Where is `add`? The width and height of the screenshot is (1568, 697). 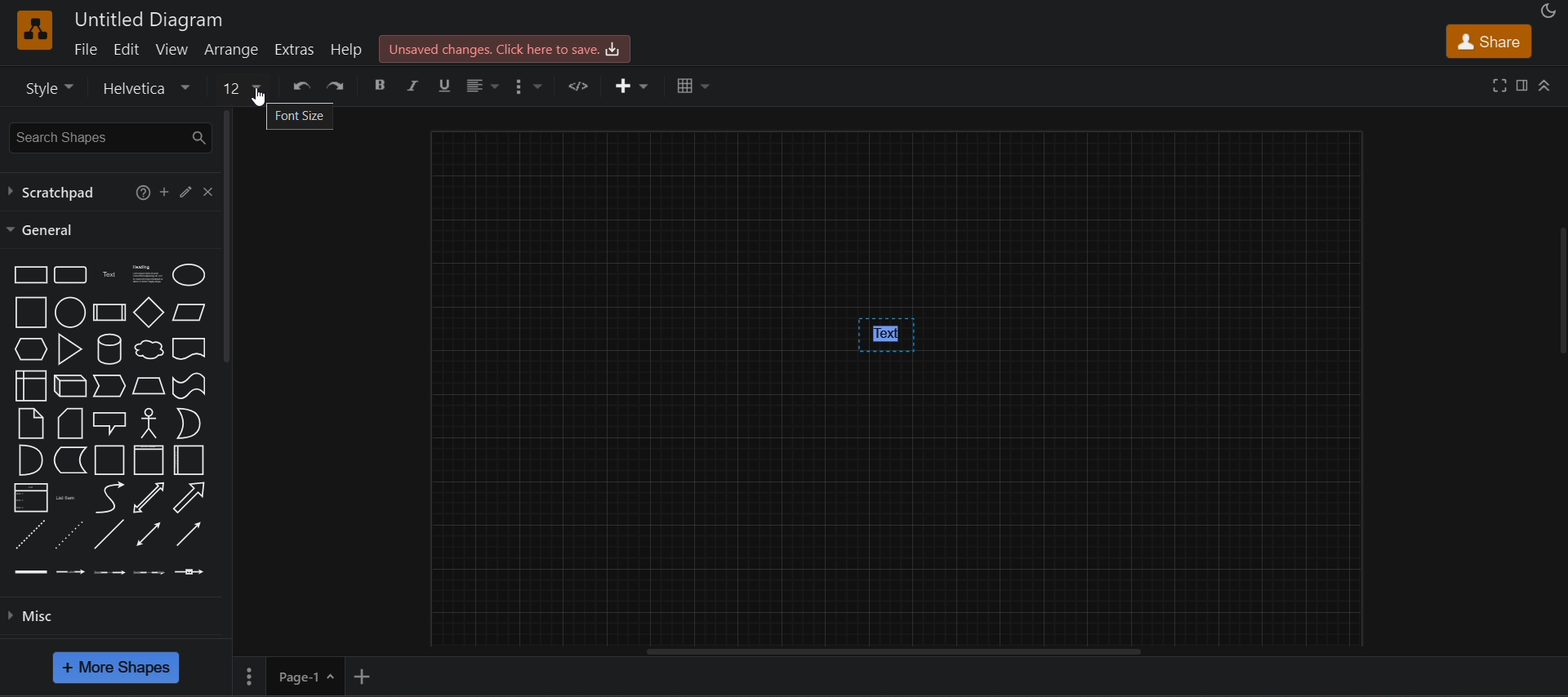
add is located at coordinates (164, 191).